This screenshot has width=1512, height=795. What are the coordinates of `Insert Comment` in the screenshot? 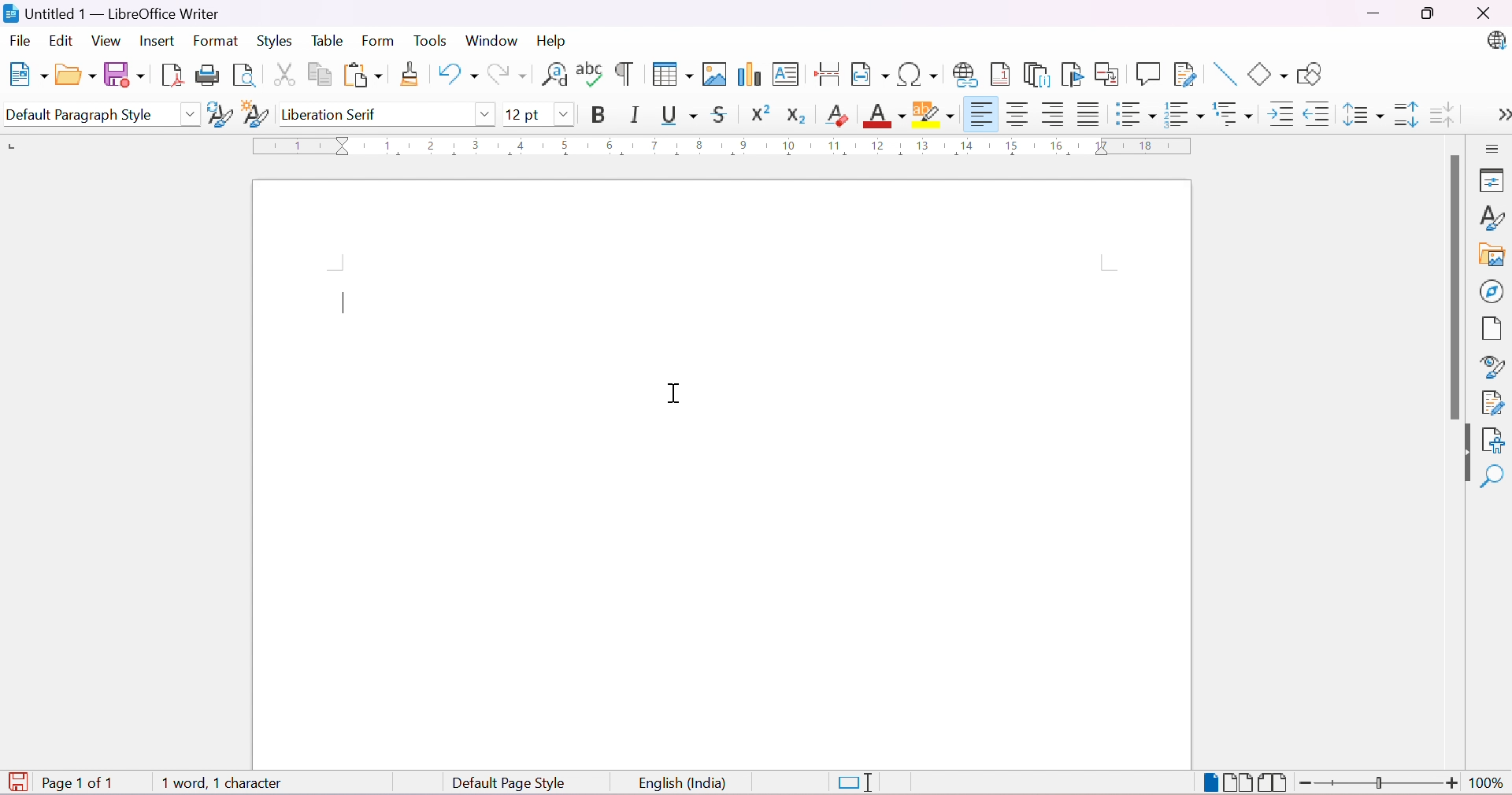 It's located at (1147, 73).